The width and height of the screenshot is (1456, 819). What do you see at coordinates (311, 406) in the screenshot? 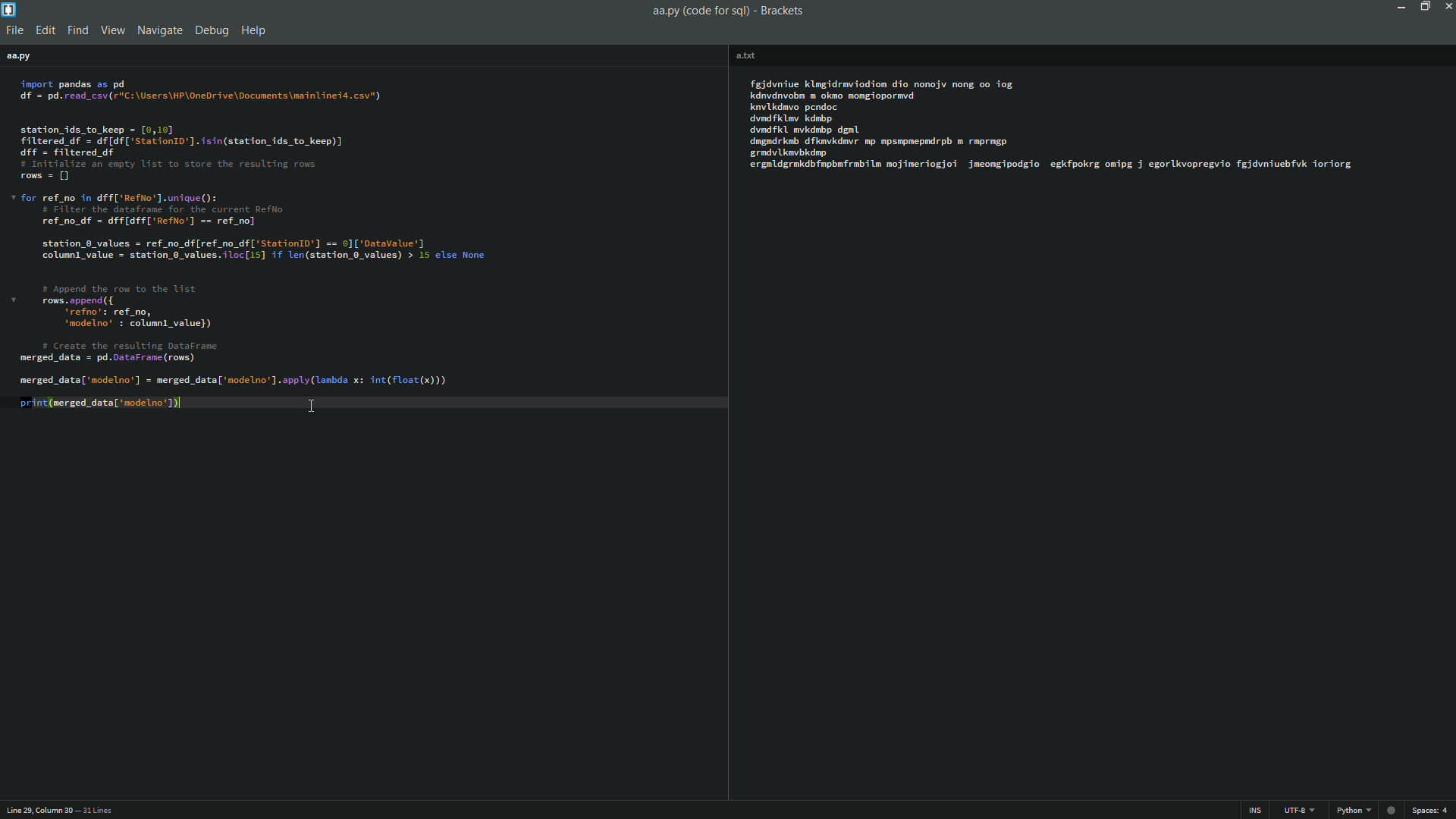
I see `cursor` at bounding box center [311, 406].